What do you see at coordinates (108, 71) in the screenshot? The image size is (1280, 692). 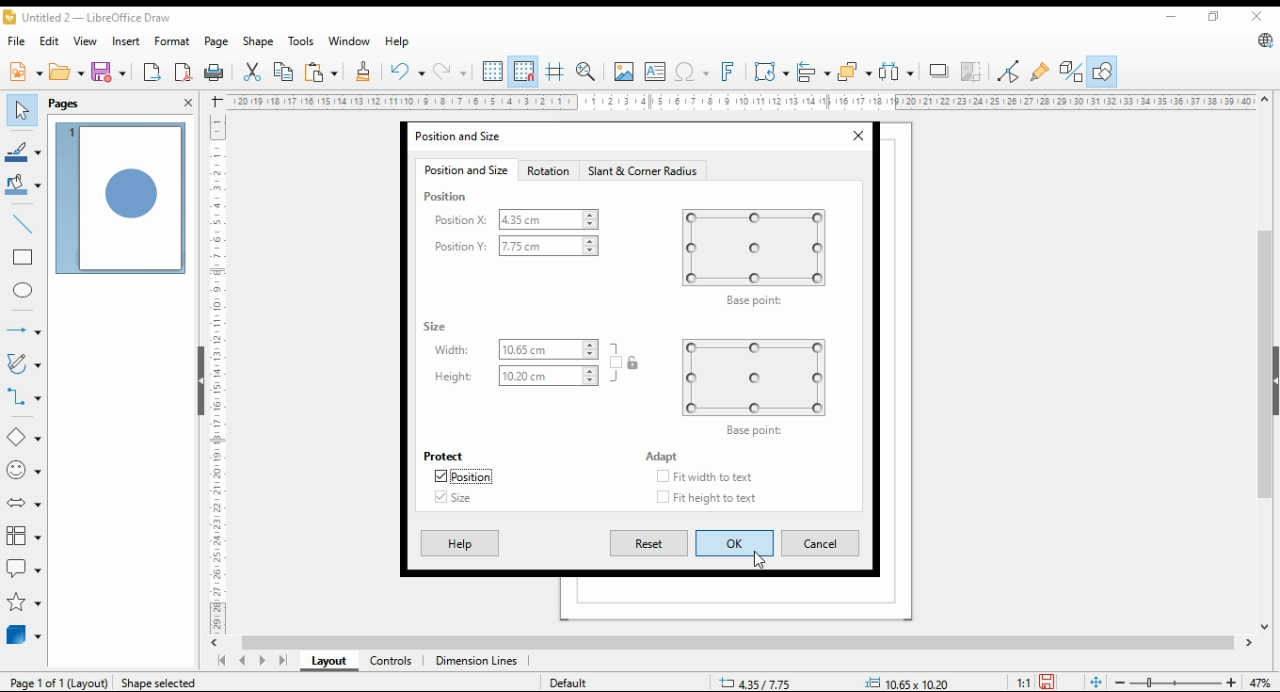 I see `save` at bounding box center [108, 71].